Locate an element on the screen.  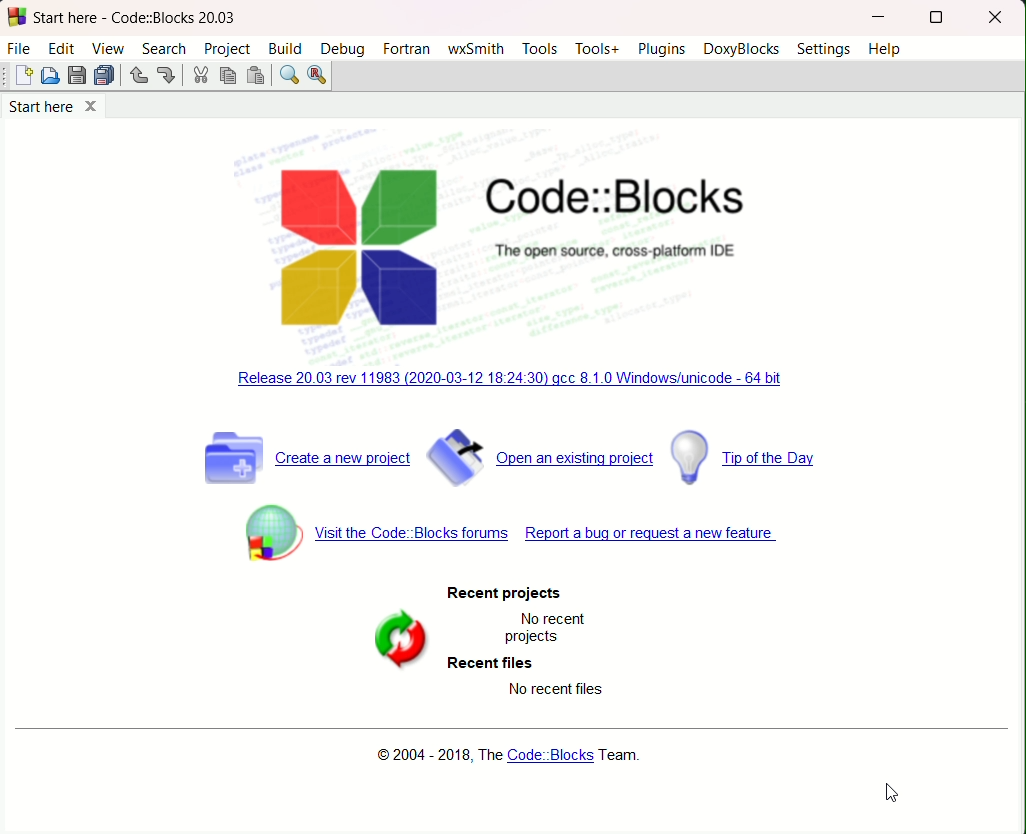
tip of the day is located at coordinates (746, 459).